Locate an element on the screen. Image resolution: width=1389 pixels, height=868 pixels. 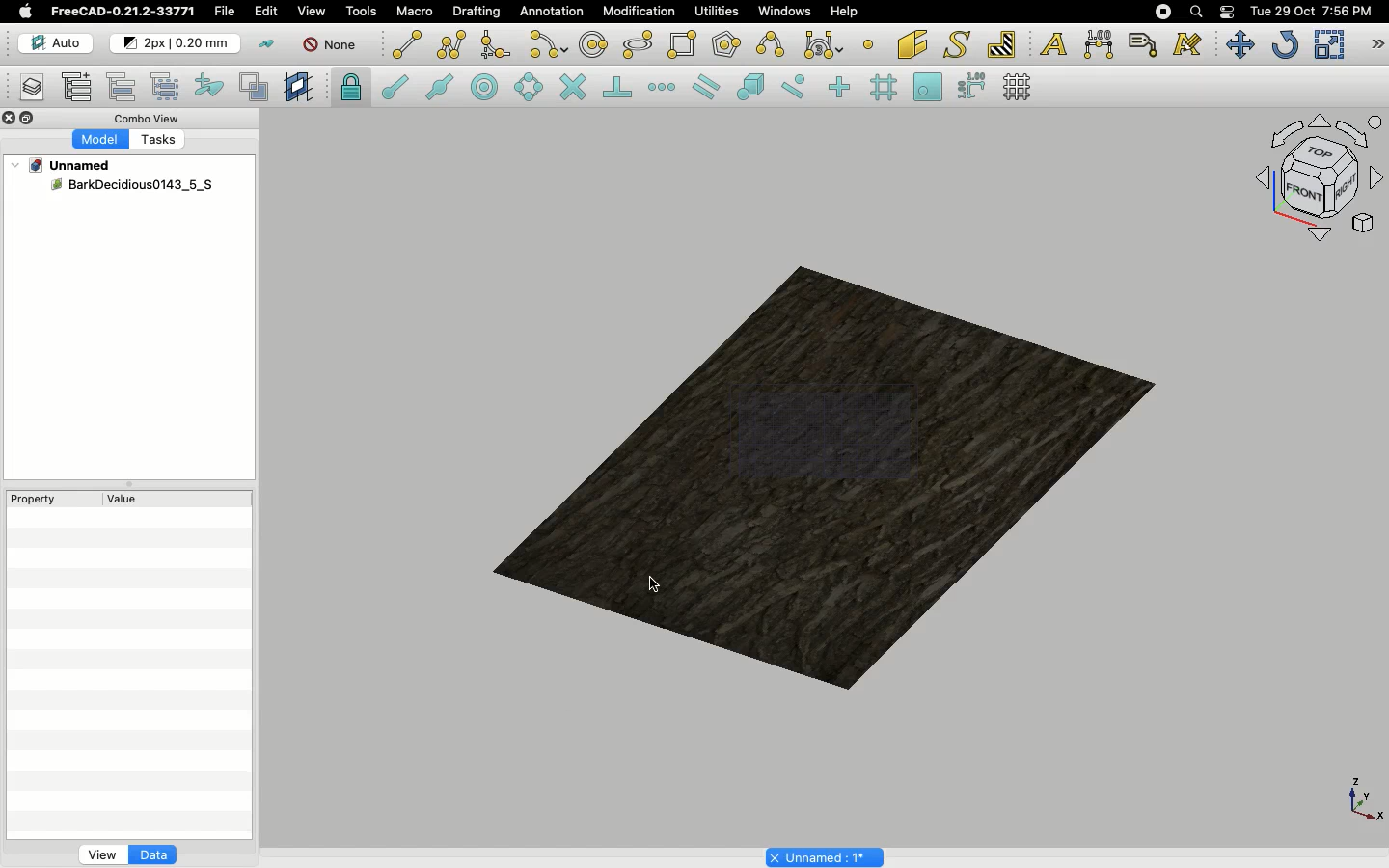
Navigation styles is located at coordinates (1318, 181).